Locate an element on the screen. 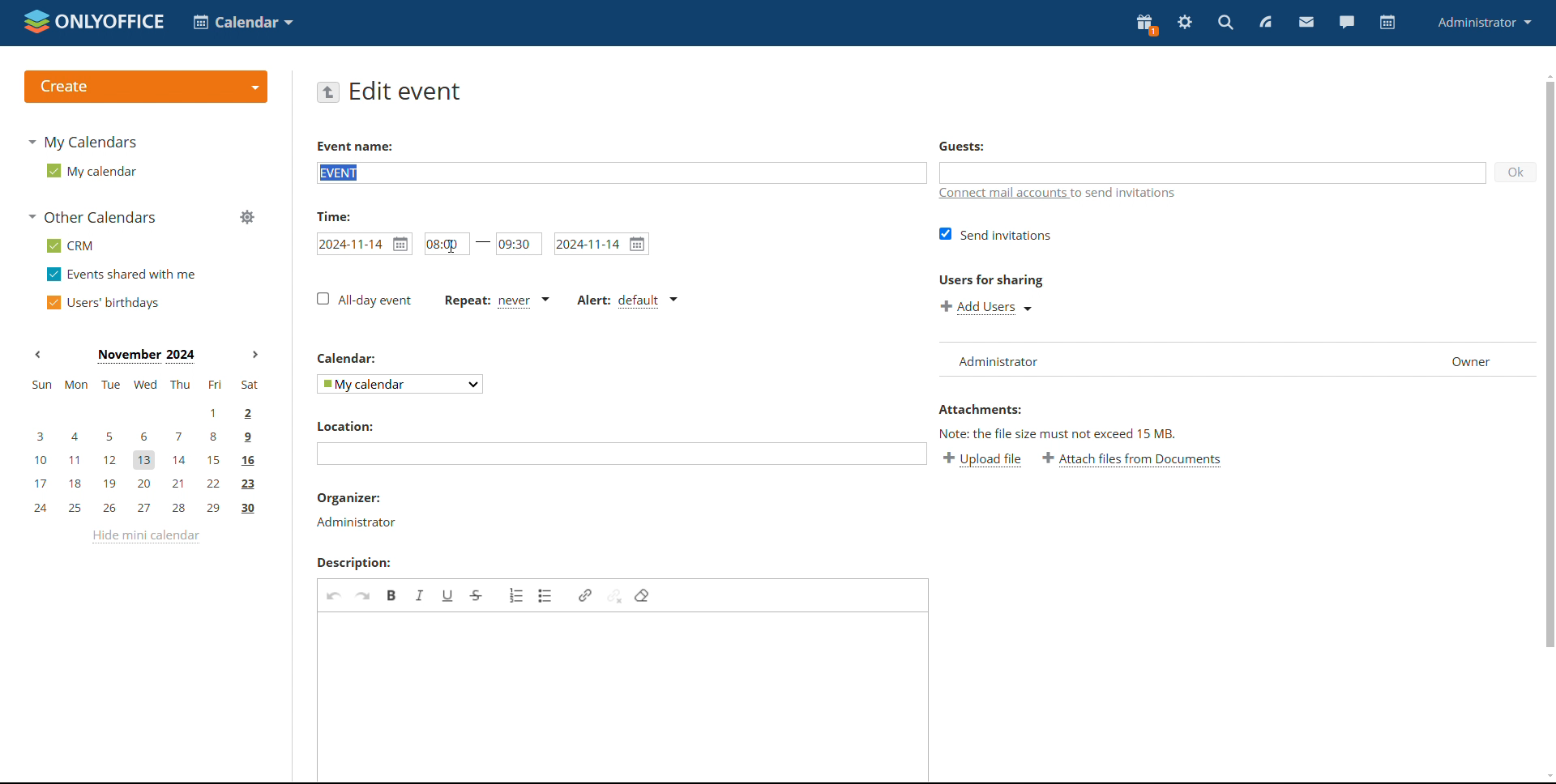 This screenshot has width=1556, height=784. event repetition is located at coordinates (495, 301).